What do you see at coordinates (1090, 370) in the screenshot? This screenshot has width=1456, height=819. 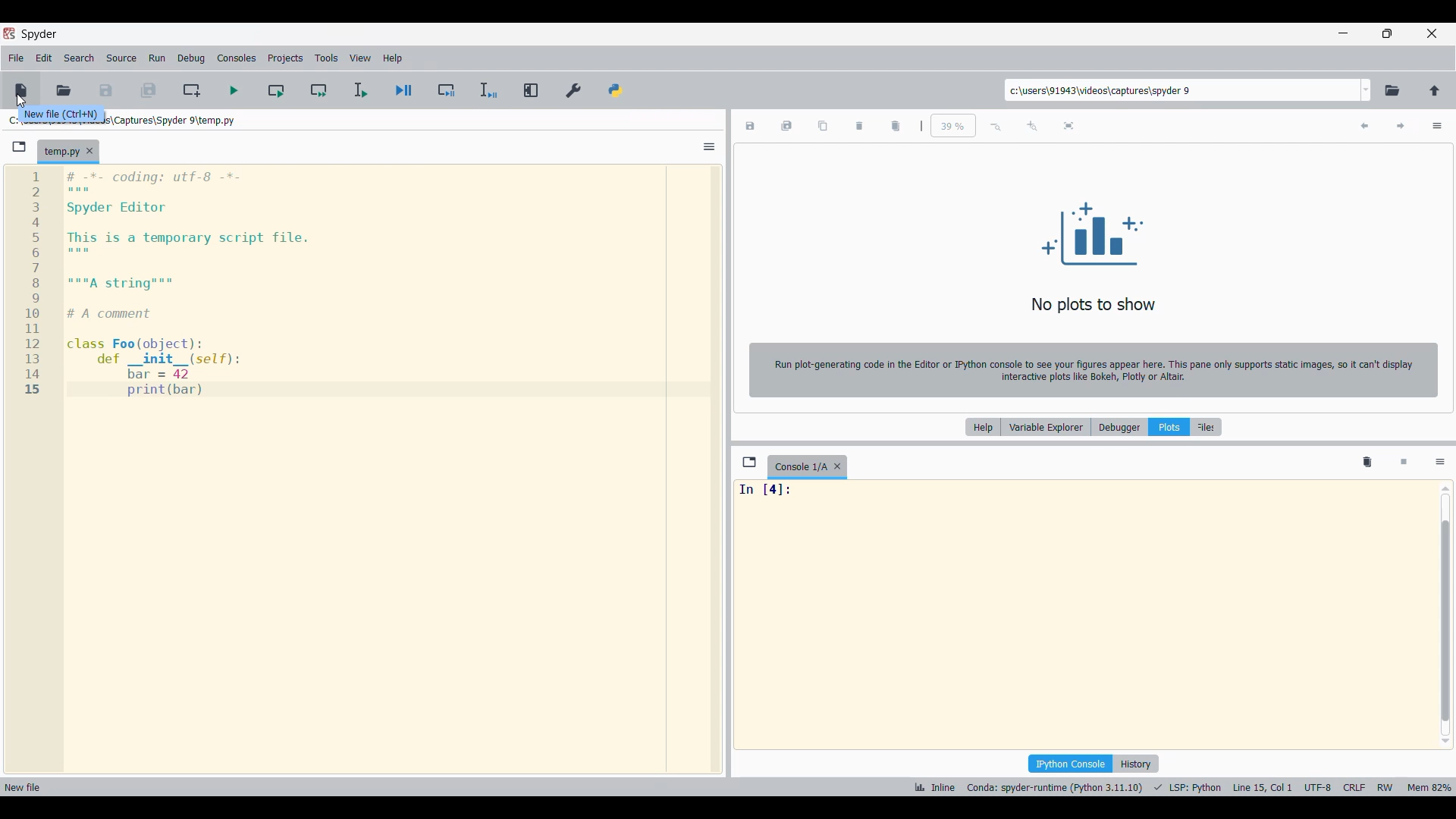 I see `Run plot-generating code in the Editor or IPython console to see your figures appear here. This pane only supports static images, so it can't display
interactive plots like Bokeh, Plotly or Altair` at bounding box center [1090, 370].